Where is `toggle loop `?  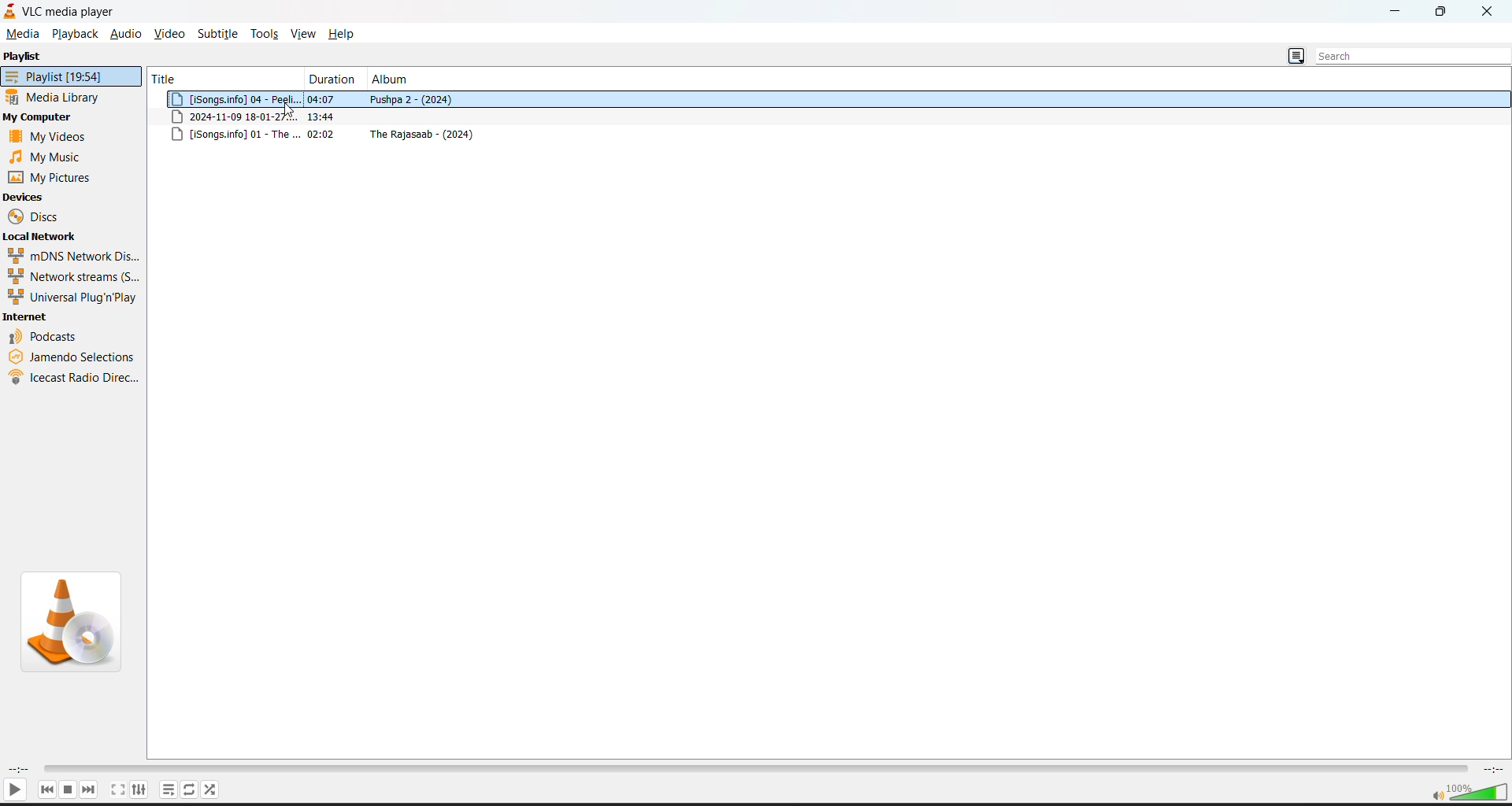 toggle loop  is located at coordinates (191, 790).